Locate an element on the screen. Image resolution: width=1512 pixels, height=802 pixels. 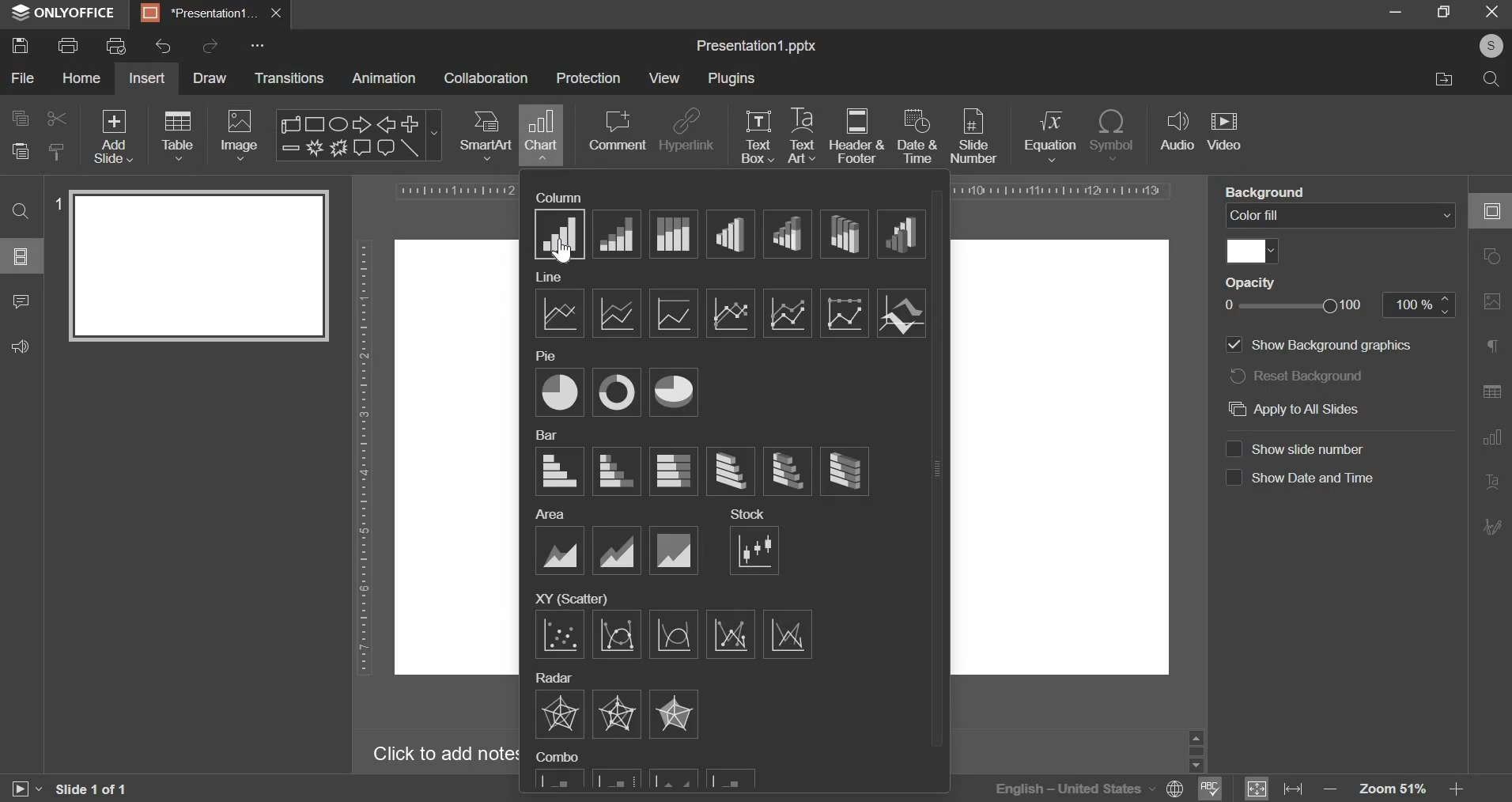
collaboration is located at coordinates (486, 78).